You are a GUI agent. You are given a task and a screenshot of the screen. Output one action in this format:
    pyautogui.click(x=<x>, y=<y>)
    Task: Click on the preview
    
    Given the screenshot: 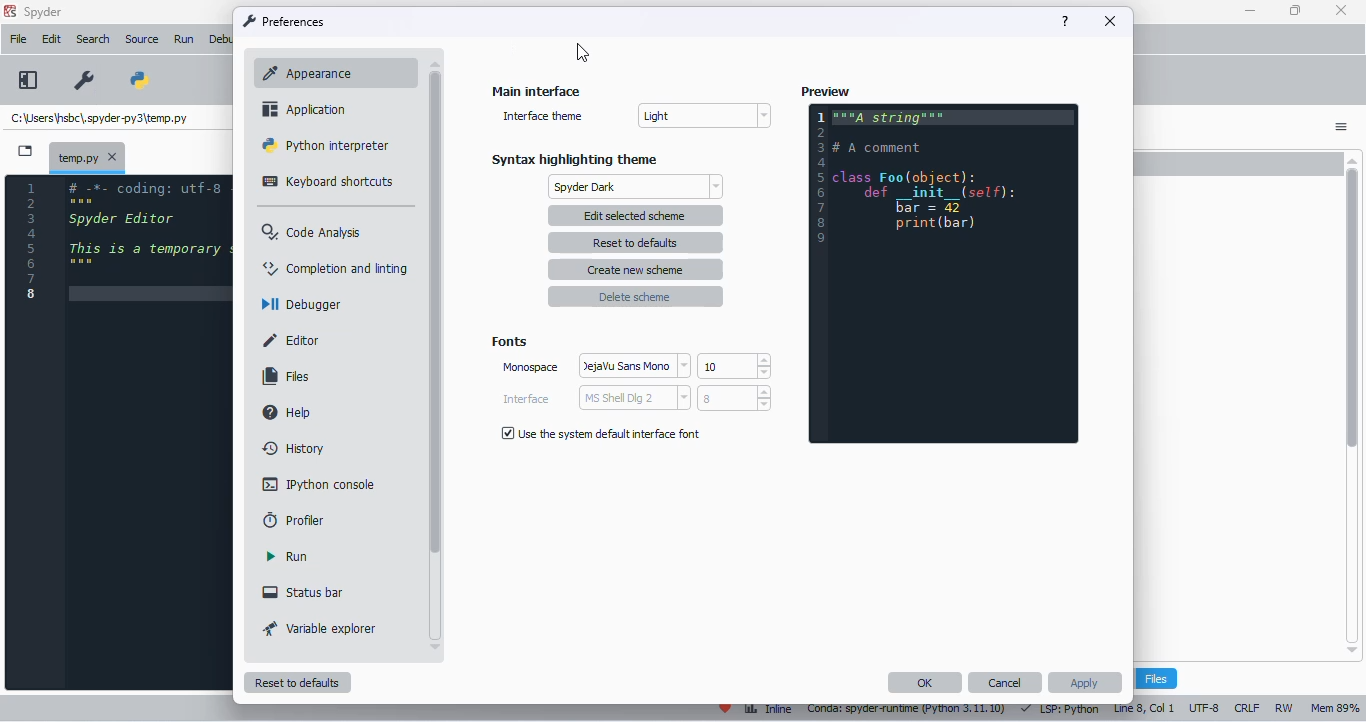 What is the action you would take?
    pyautogui.click(x=825, y=92)
    